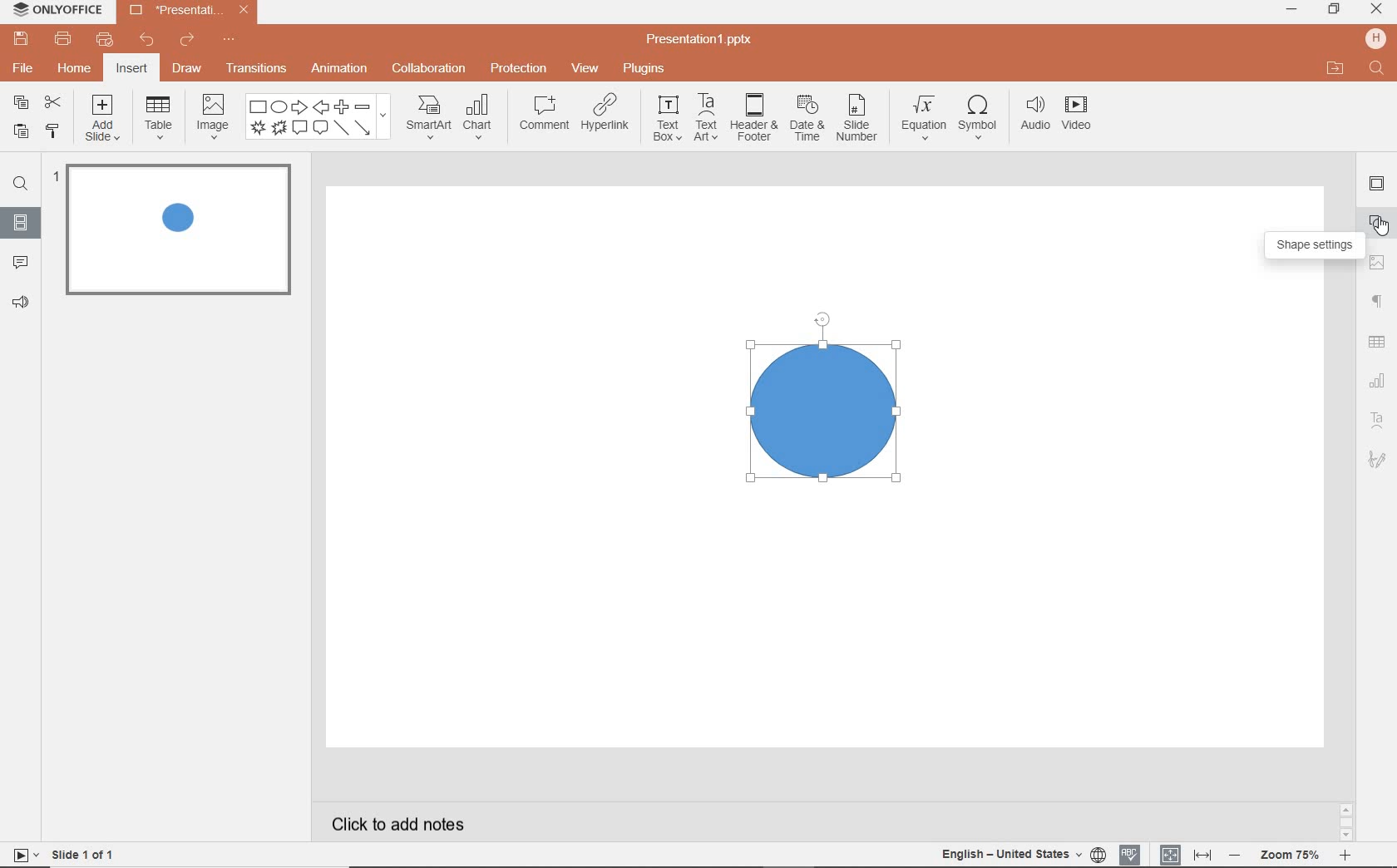 This screenshot has width=1397, height=868. What do you see at coordinates (19, 304) in the screenshot?
I see `feedback & support` at bounding box center [19, 304].